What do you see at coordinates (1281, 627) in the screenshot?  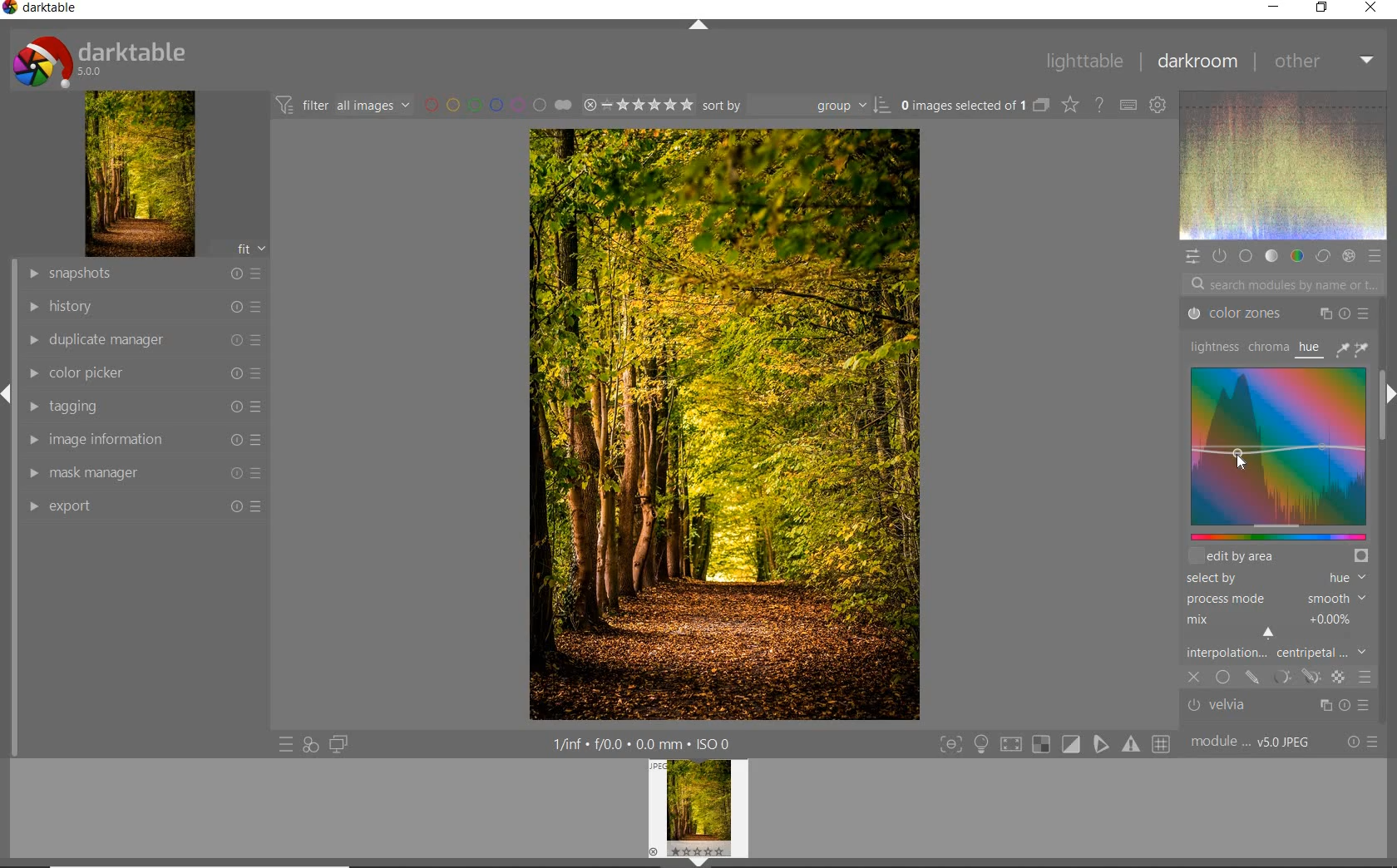 I see `mix` at bounding box center [1281, 627].